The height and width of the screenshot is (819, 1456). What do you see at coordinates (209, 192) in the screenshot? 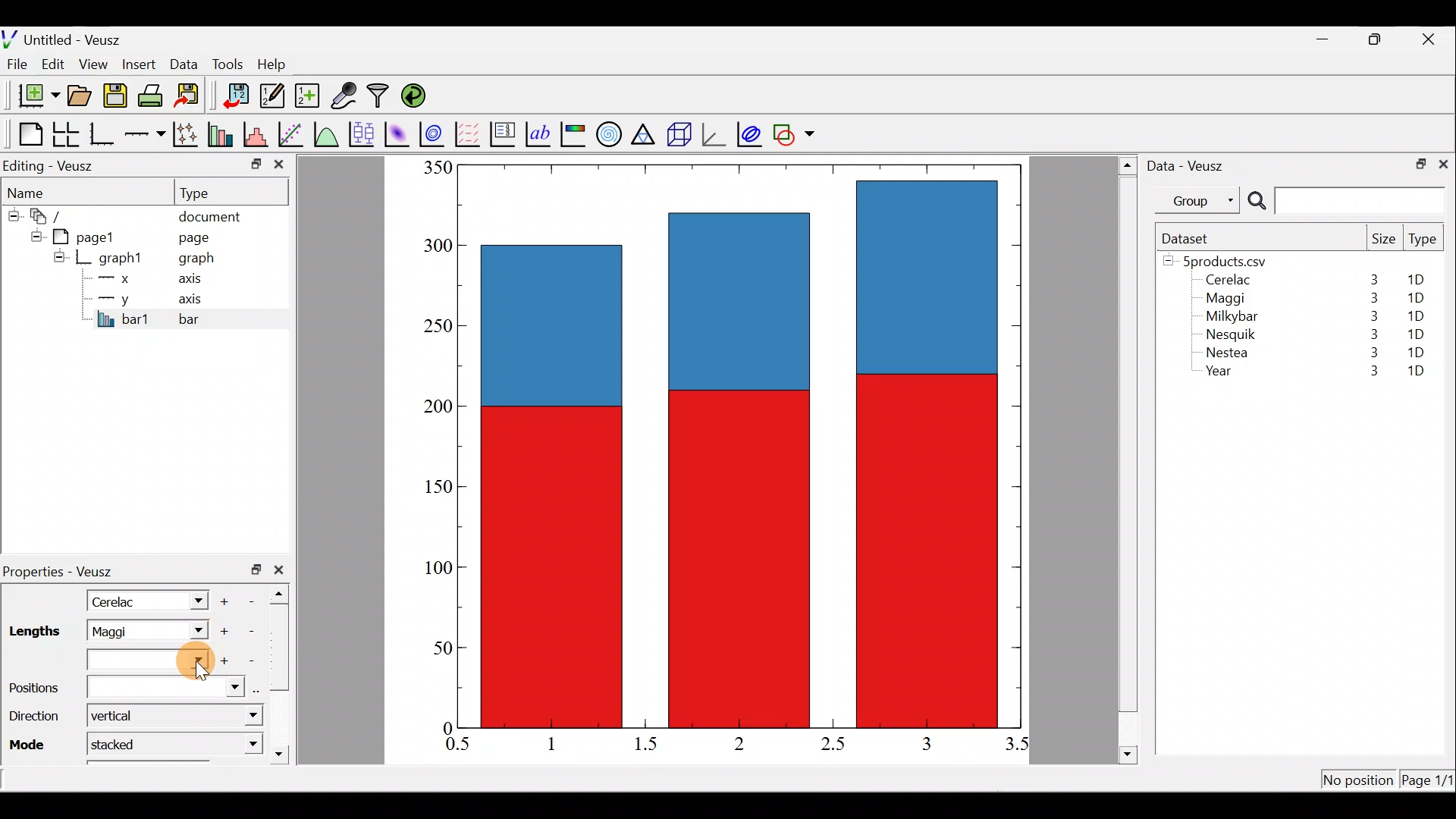
I see `Type` at bounding box center [209, 192].